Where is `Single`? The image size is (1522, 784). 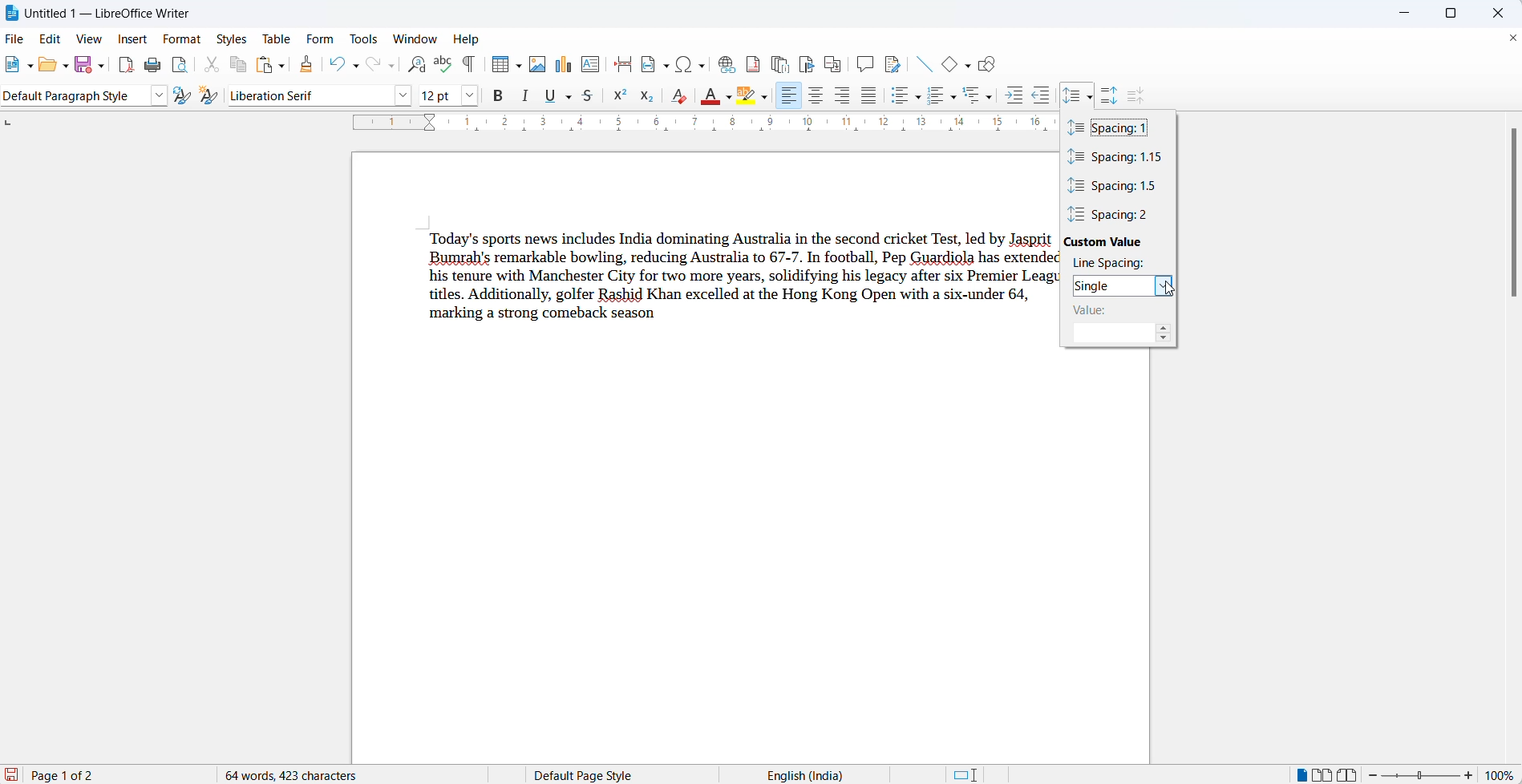
Single is located at coordinates (1111, 286).